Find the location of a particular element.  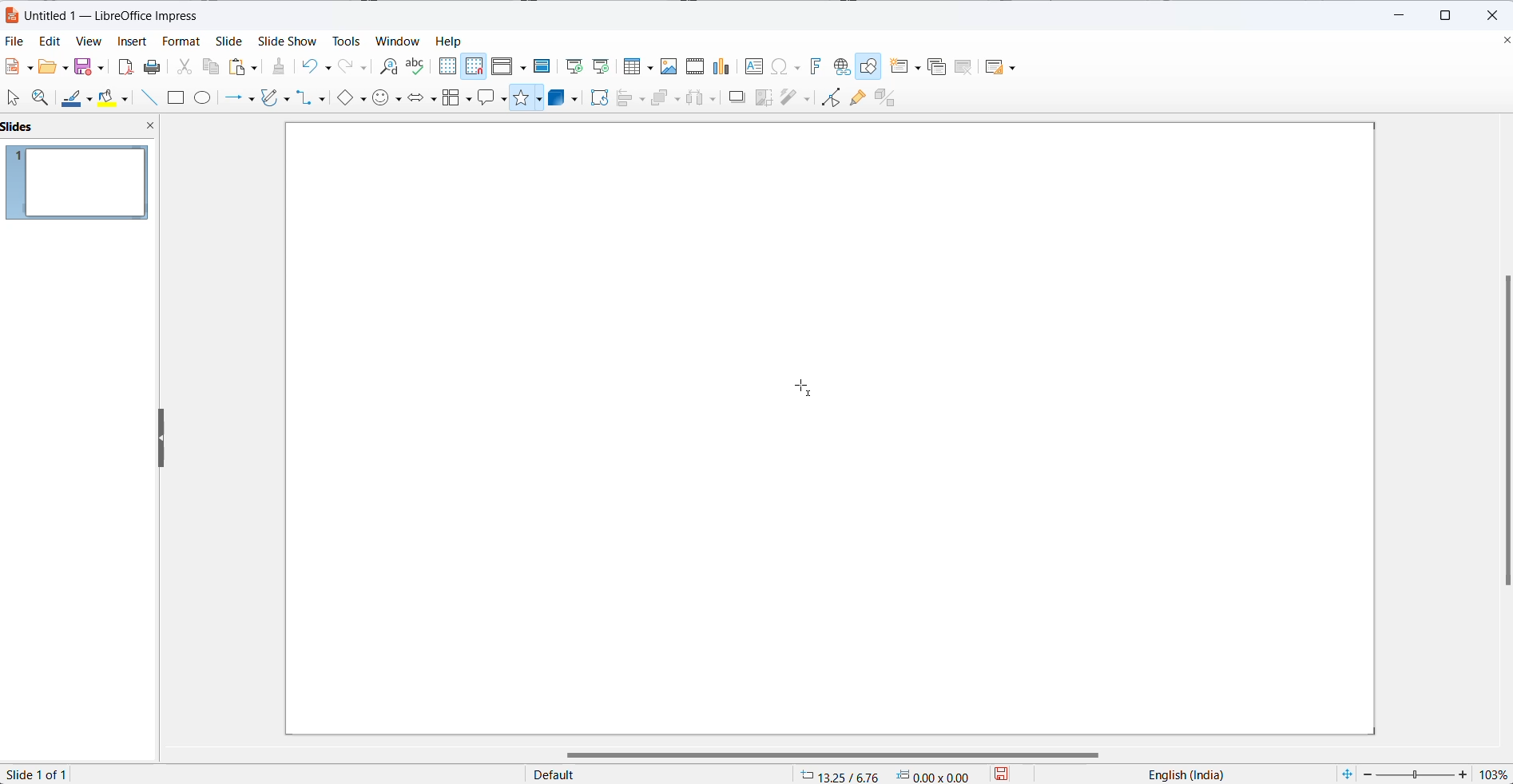

ellipse is located at coordinates (206, 97).